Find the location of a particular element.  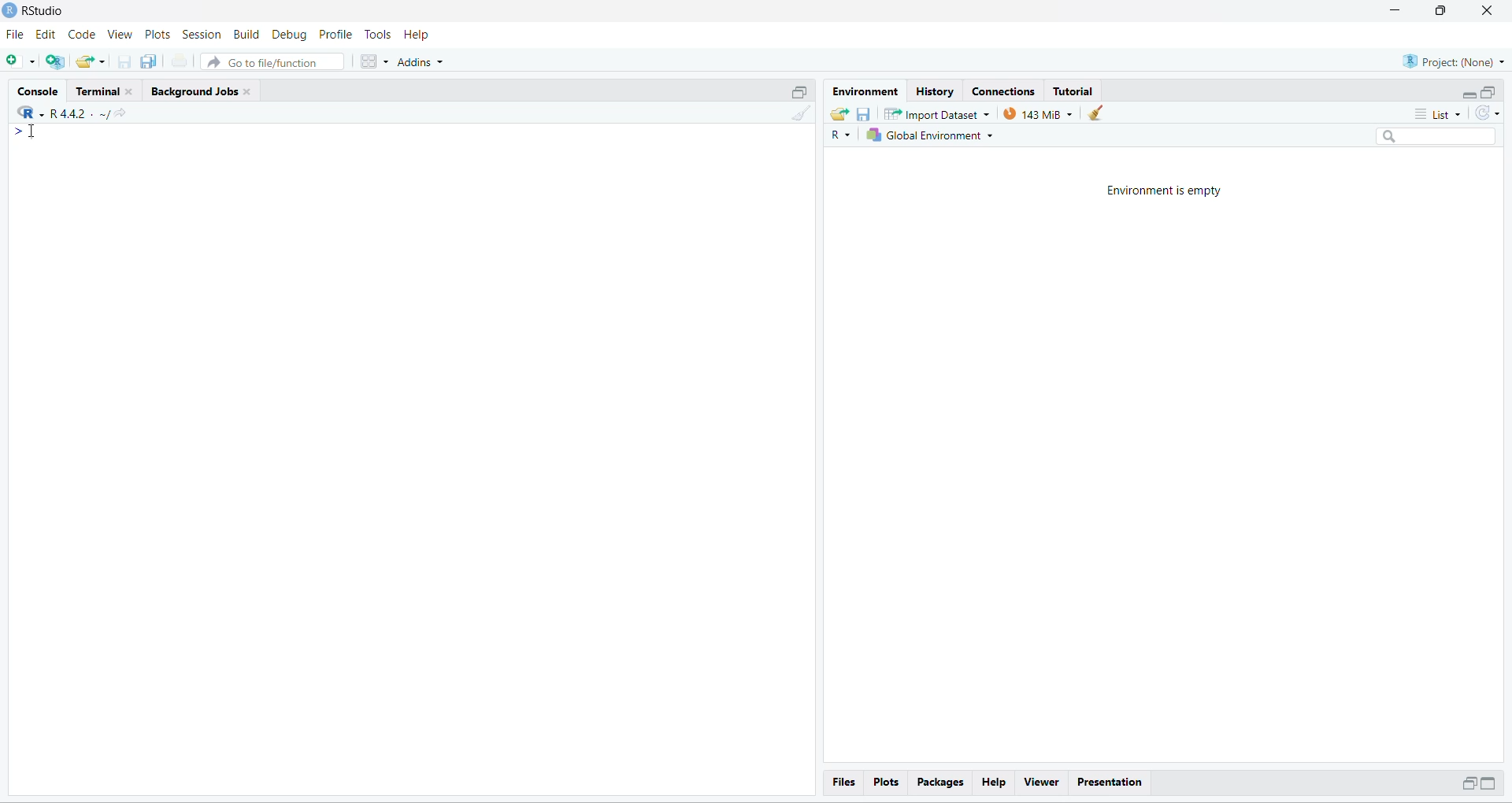

143 MiB is located at coordinates (1037, 113).